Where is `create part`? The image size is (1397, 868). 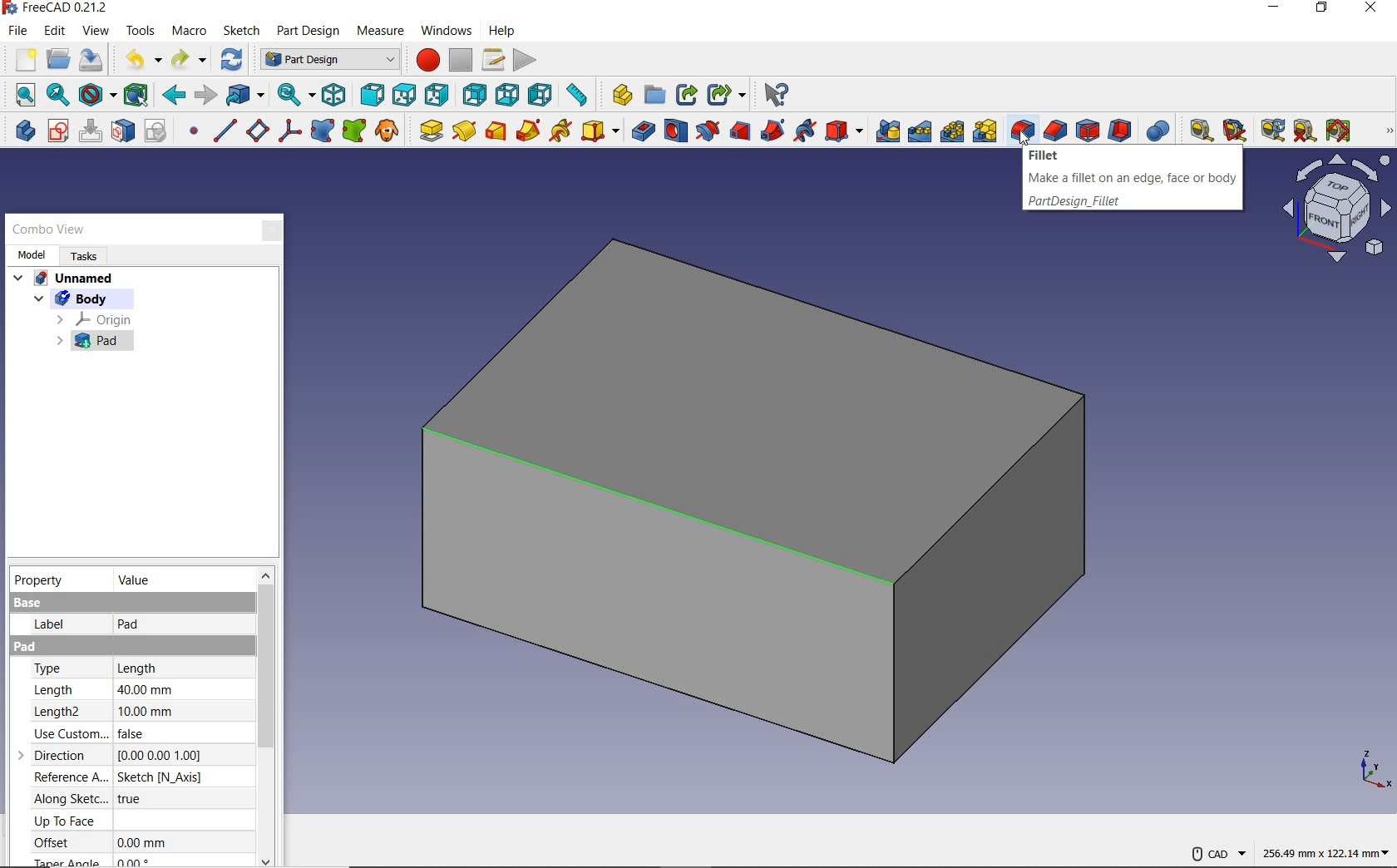 create part is located at coordinates (618, 94).